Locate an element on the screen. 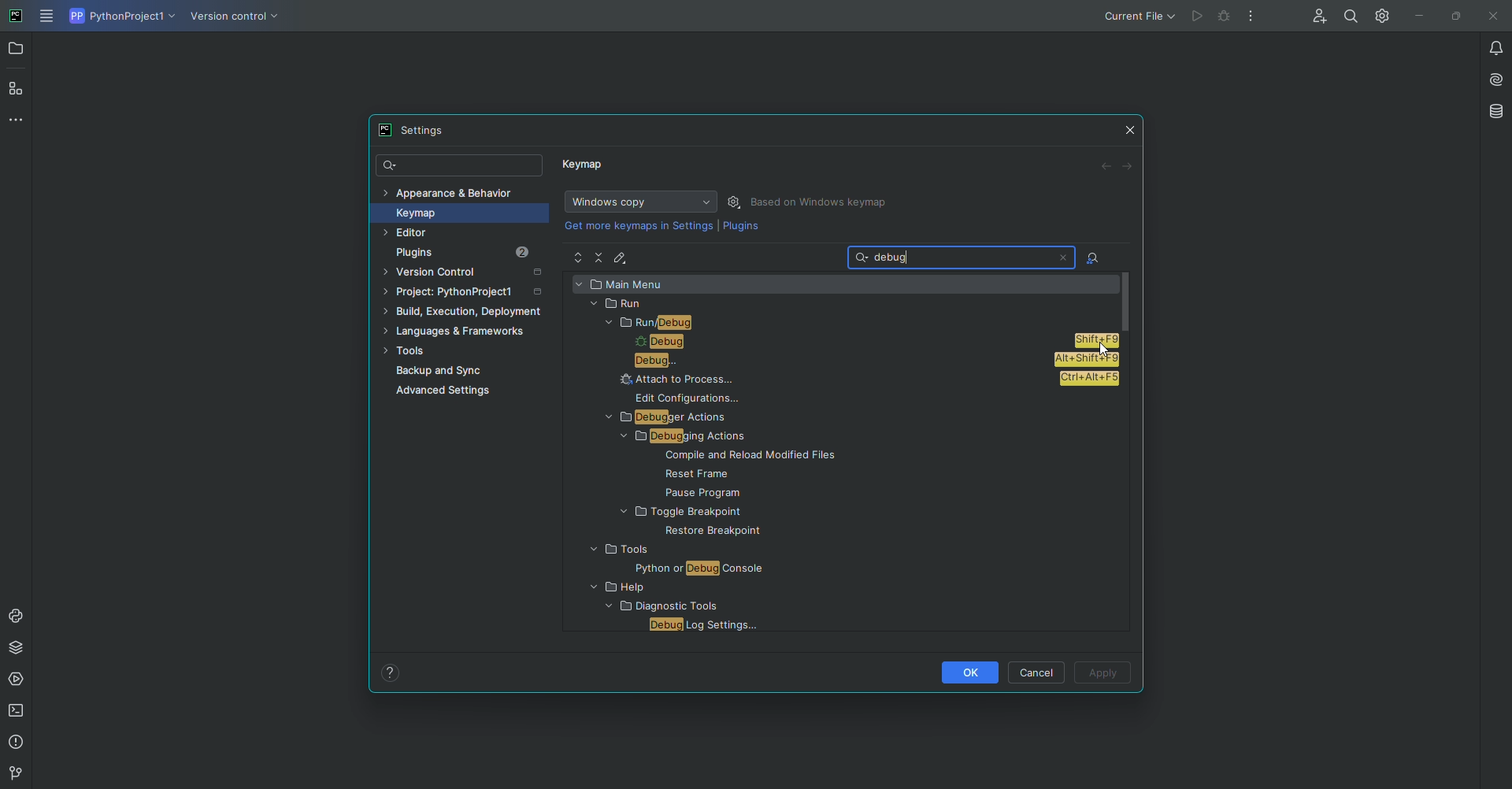  shortcut is located at coordinates (1088, 381).